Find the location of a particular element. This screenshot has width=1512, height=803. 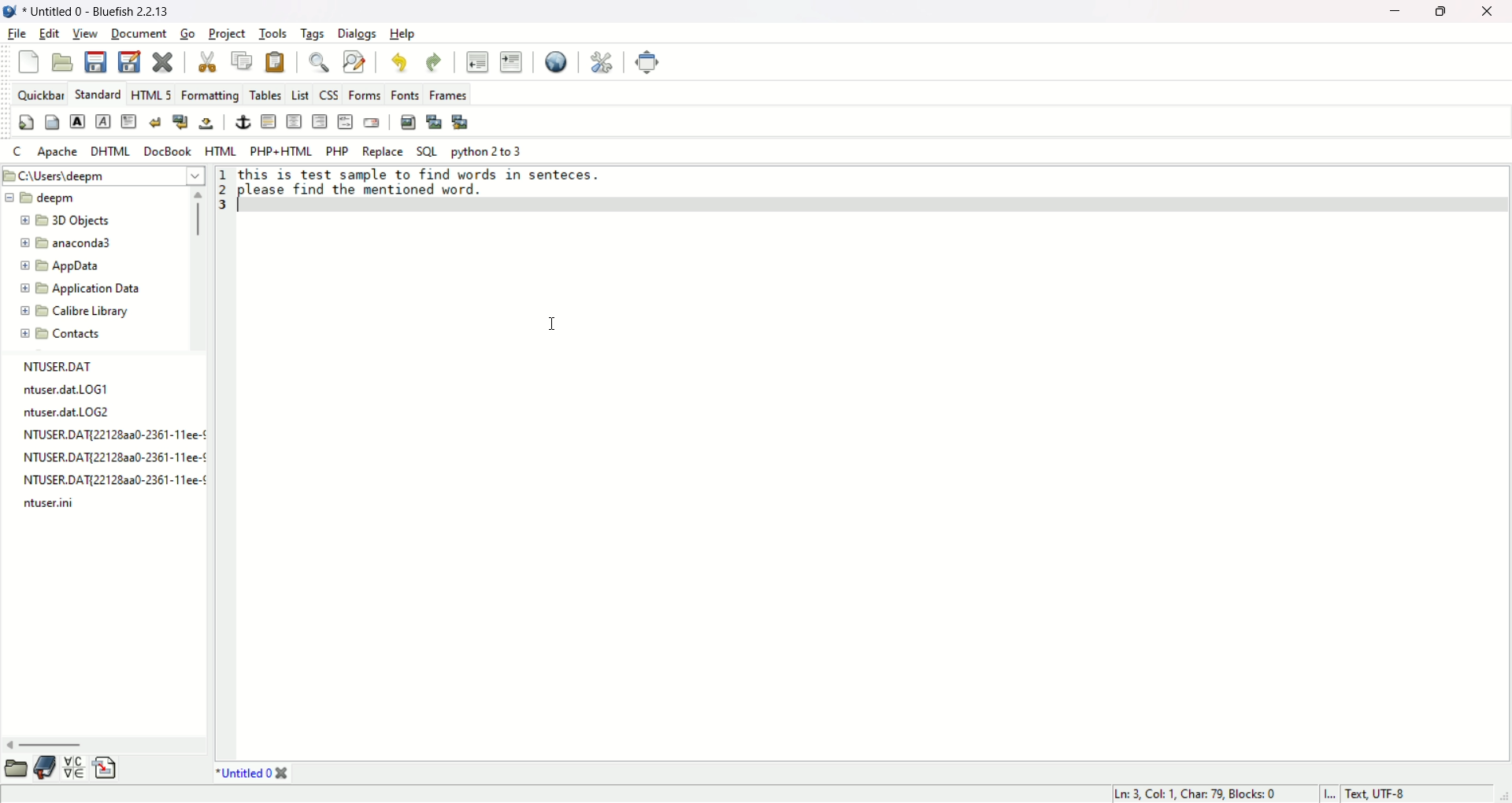

right justify is located at coordinates (318, 121).